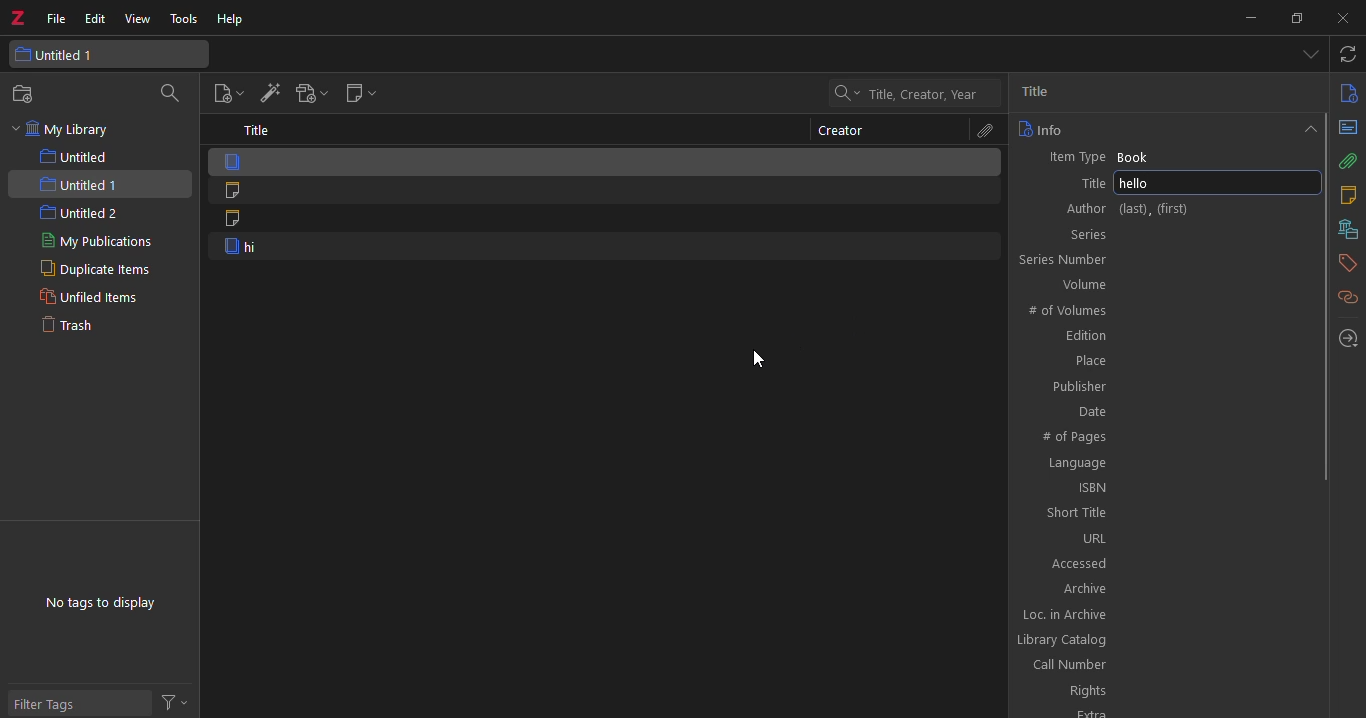  What do you see at coordinates (766, 359) in the screenshot?
I see `mouse cursor` at bounding box center [766, 359].